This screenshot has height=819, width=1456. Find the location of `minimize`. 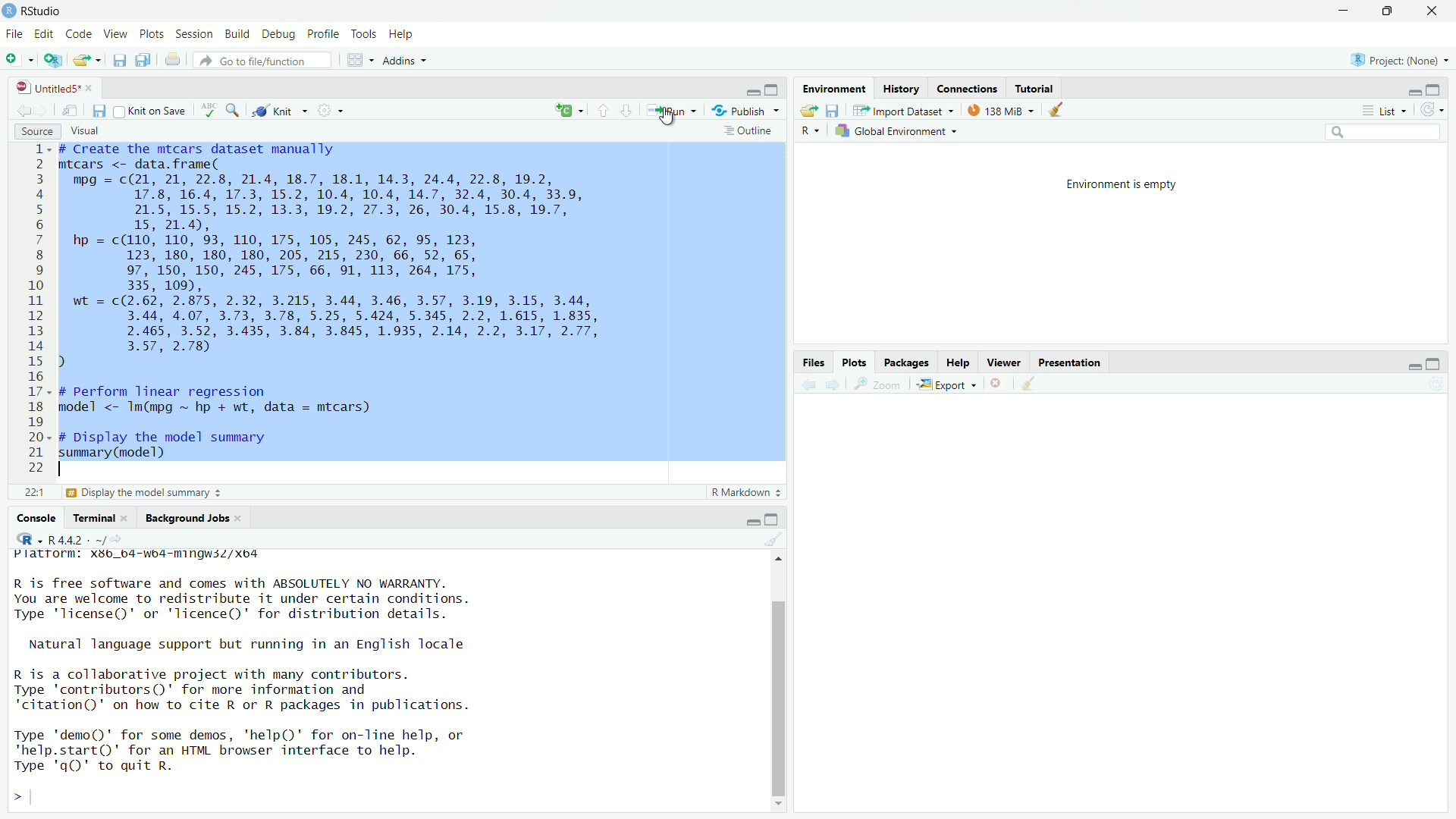

minimize is located at coordinates (1411, 366).